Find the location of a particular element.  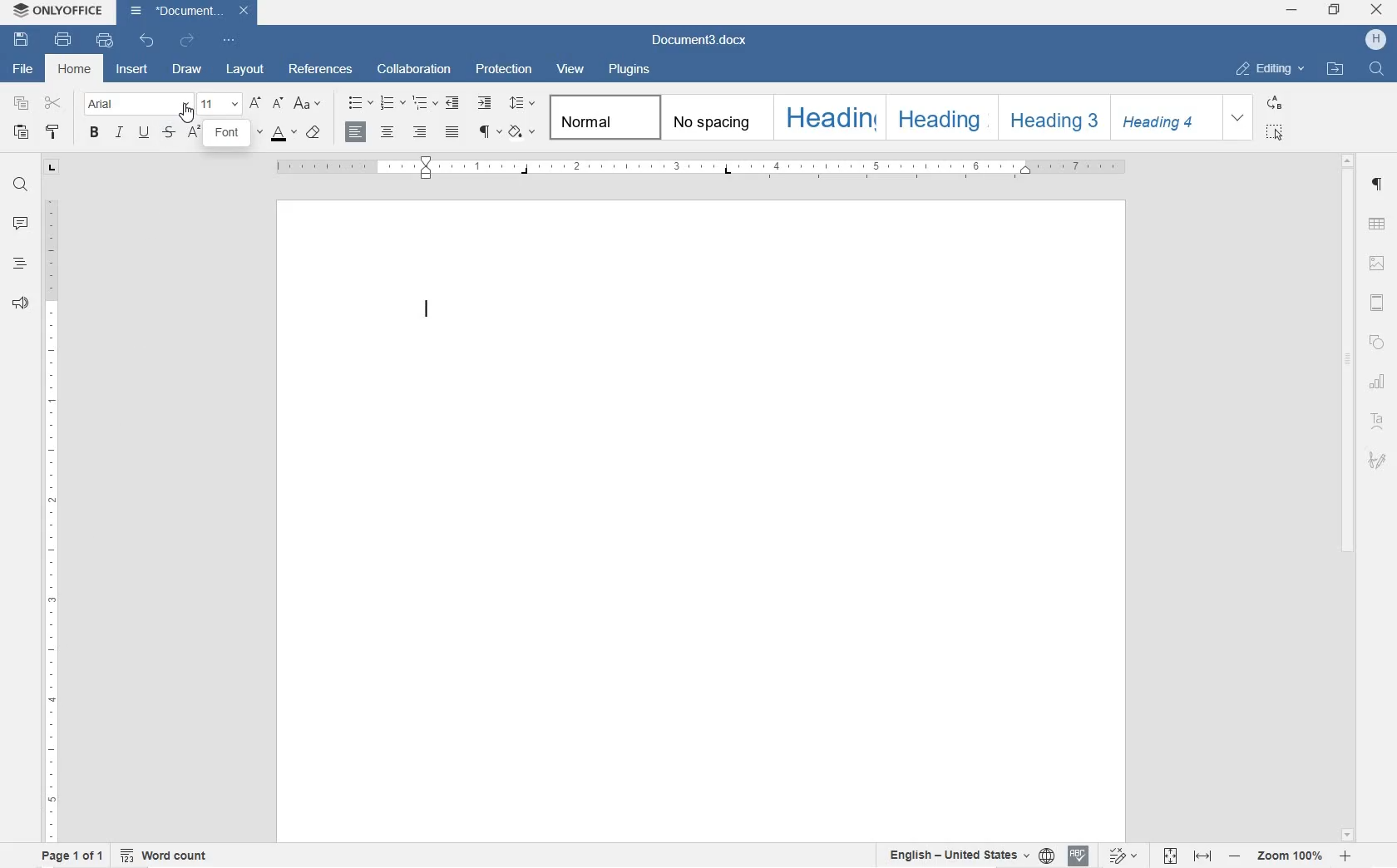

HEADINGS is located at coordinates (19, 264).